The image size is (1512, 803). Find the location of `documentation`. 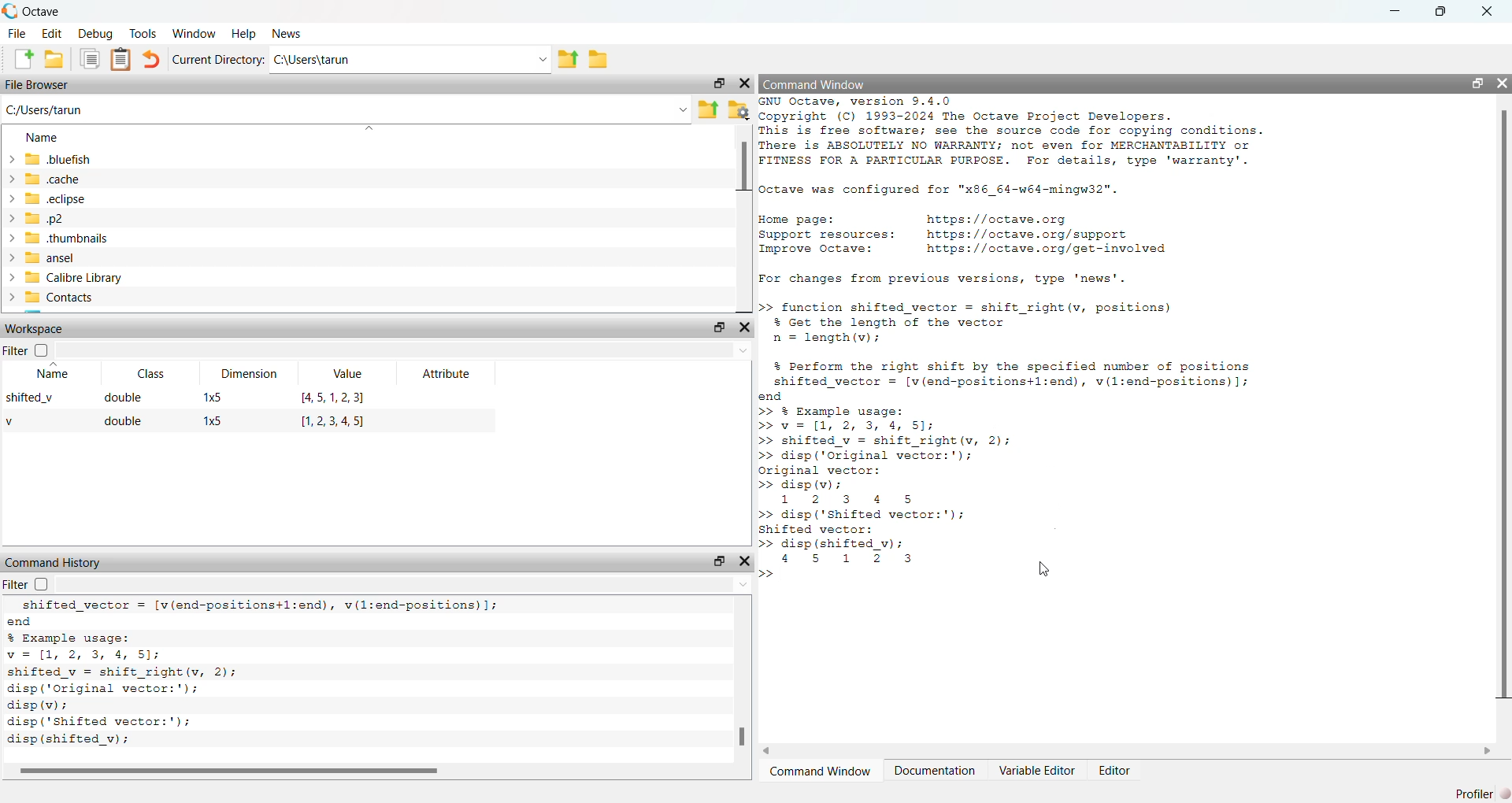

documentation is located at coordinates (932, 772).